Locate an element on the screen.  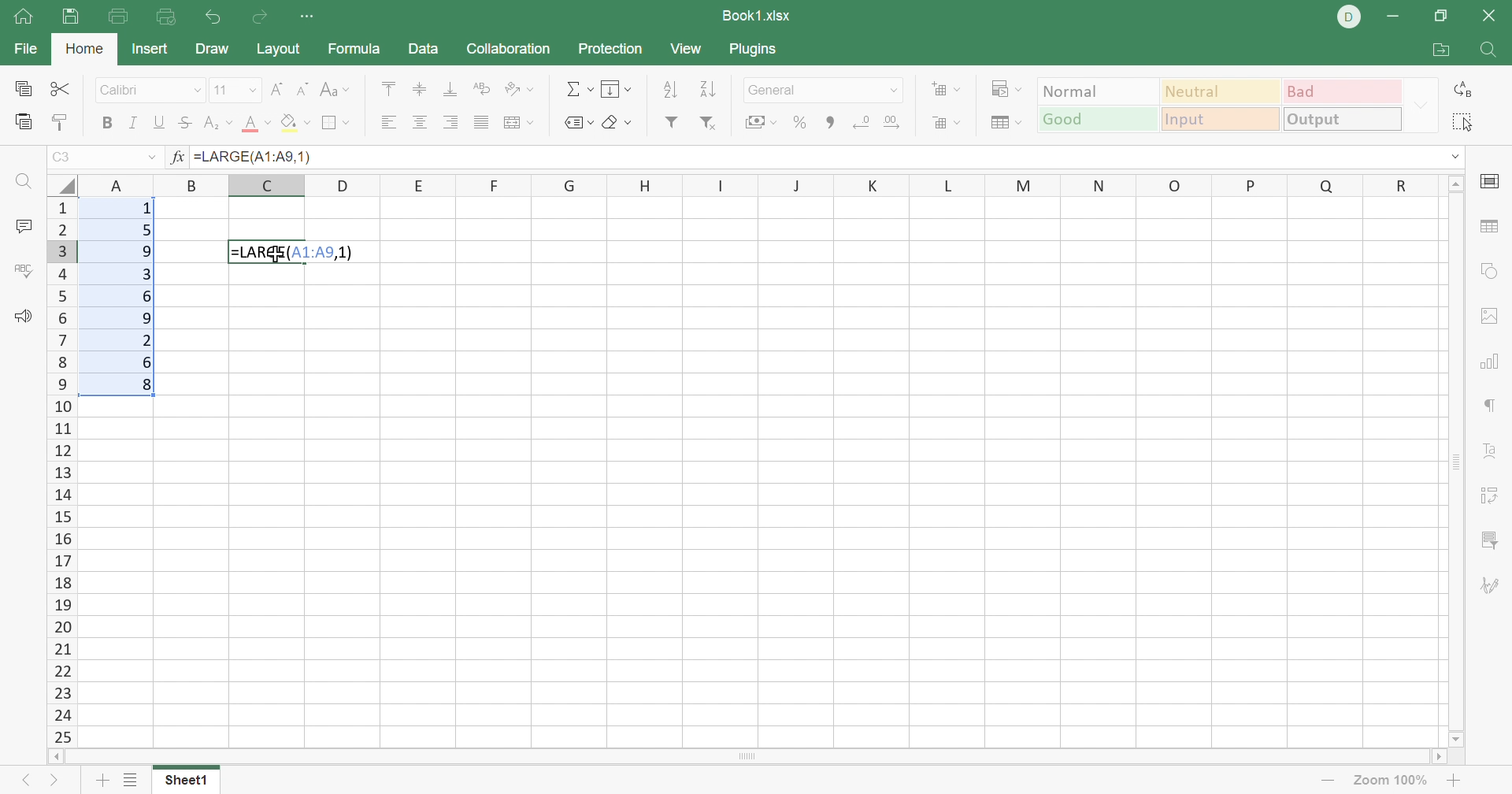
Collaboration is located at coordinates (508, 48).